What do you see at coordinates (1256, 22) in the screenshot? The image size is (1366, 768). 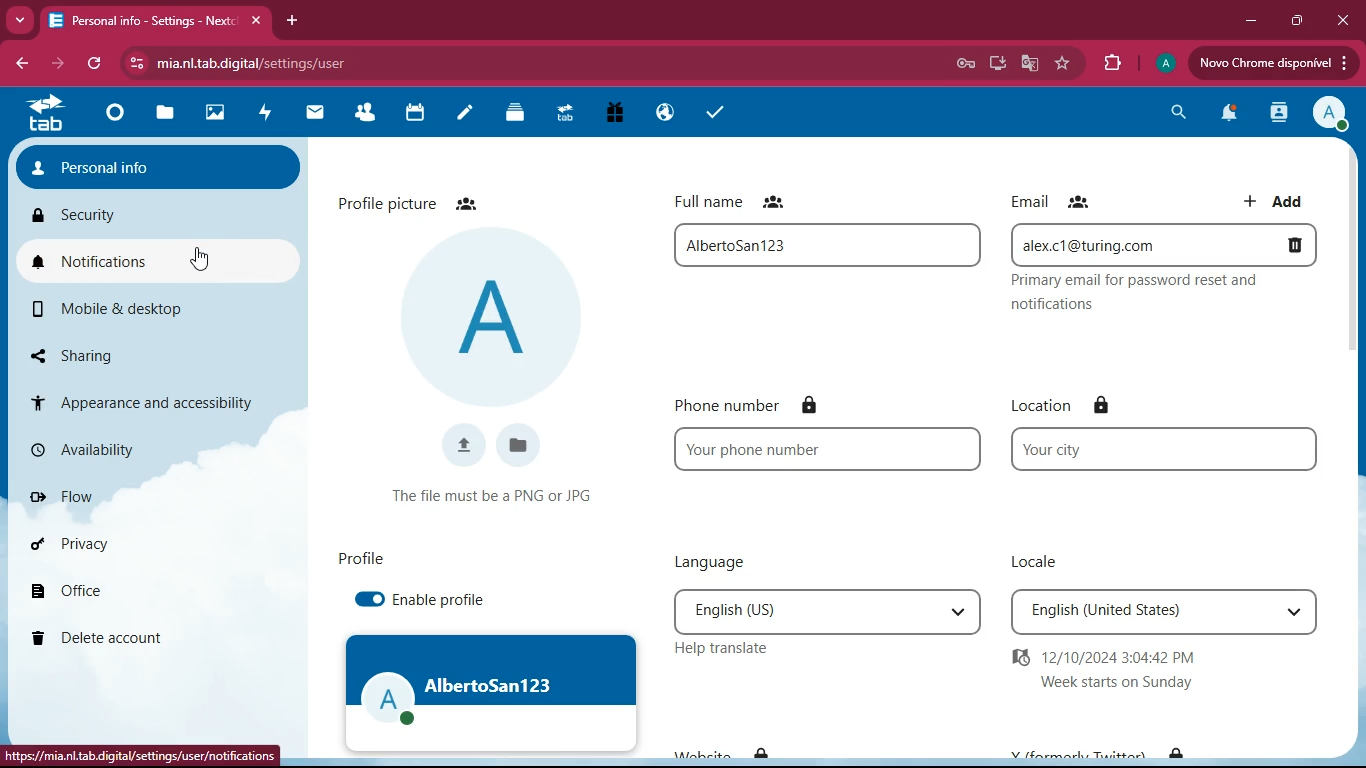 I see `minimize` at bounding box center [1256, 22].